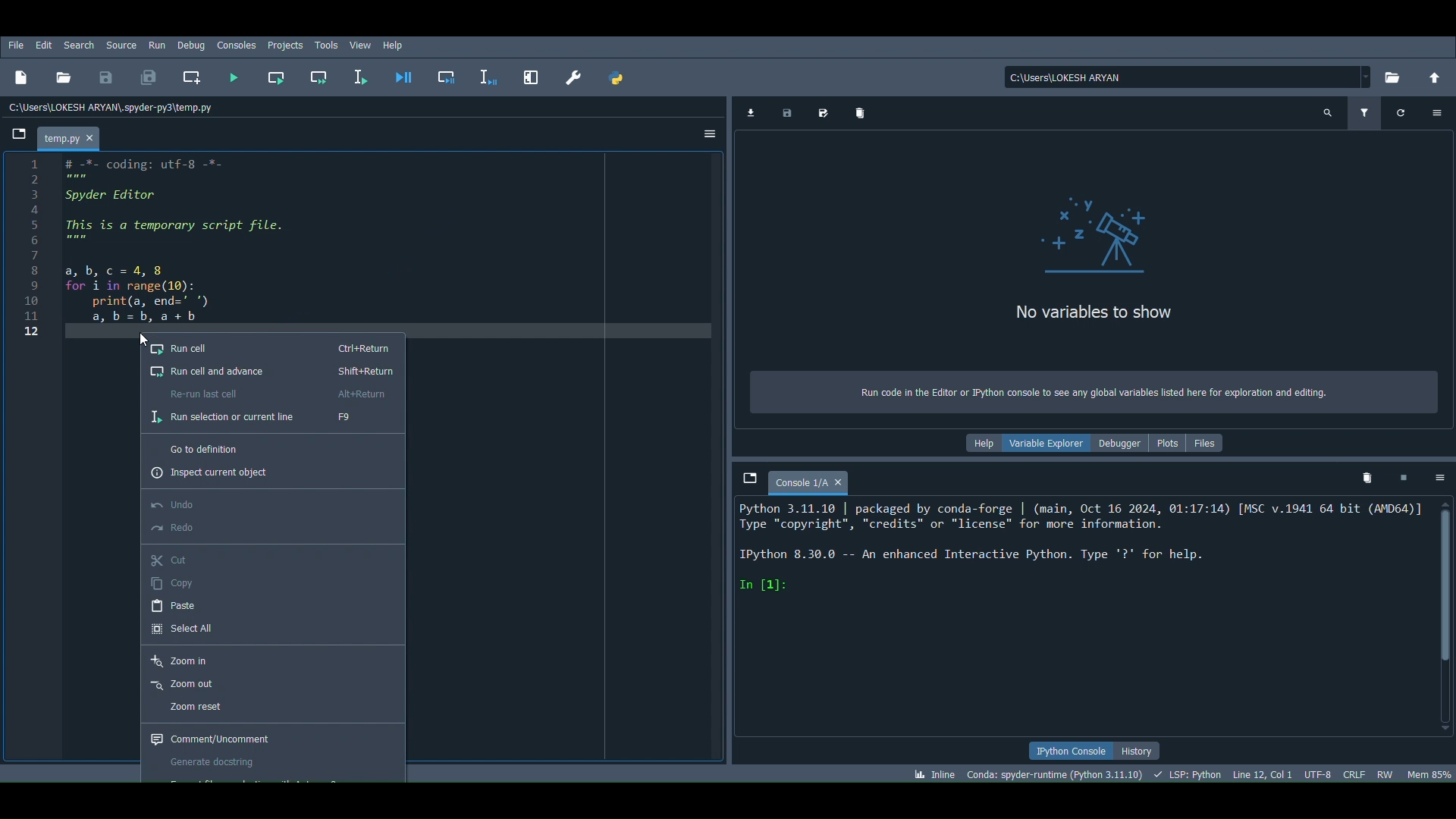 The width and height of the screenshot is (1456, 819). I want to click on Scrollbar, so click(1448, 617).